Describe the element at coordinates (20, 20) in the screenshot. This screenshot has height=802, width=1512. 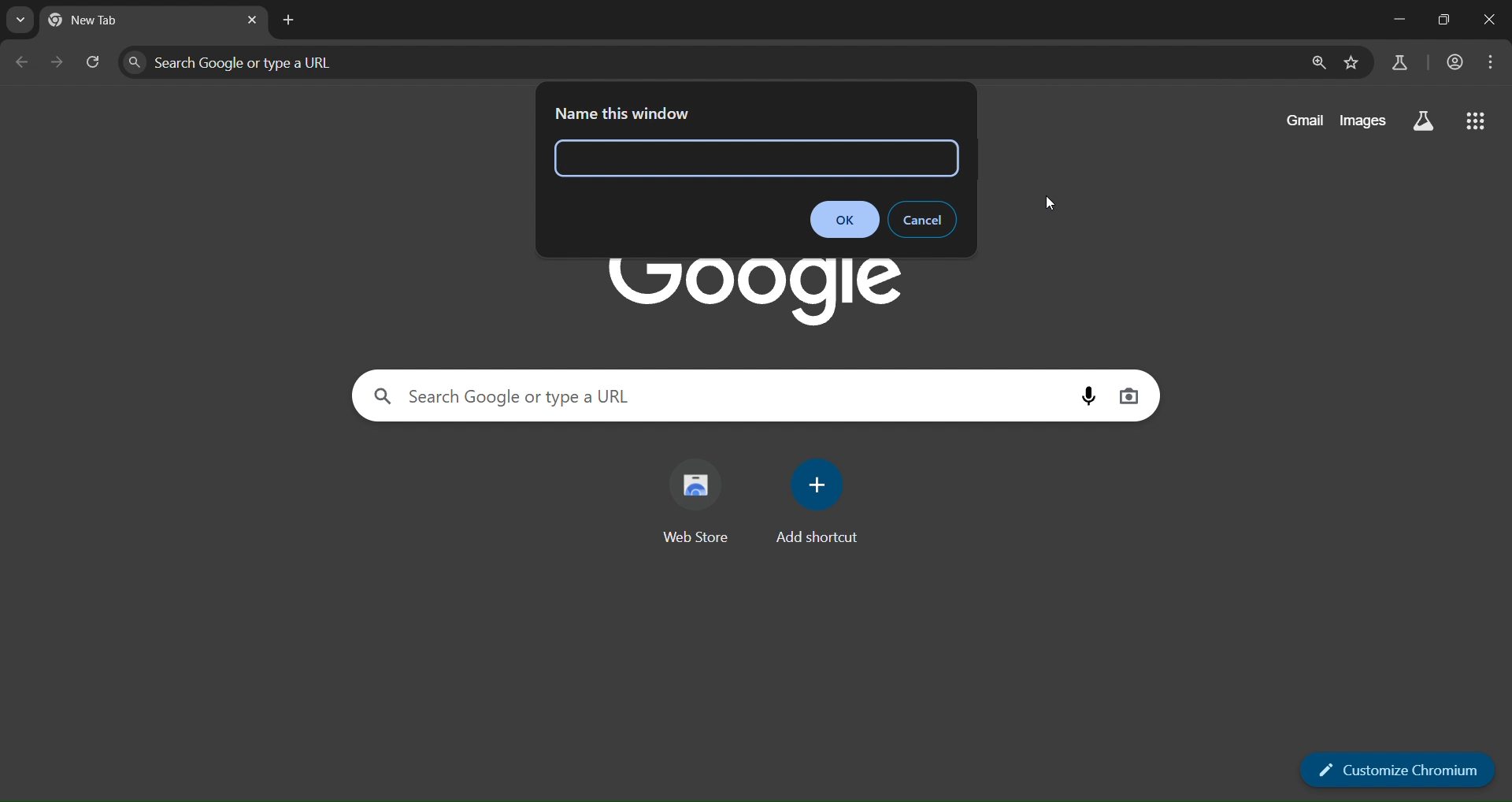
I see `search tabs` at that location.